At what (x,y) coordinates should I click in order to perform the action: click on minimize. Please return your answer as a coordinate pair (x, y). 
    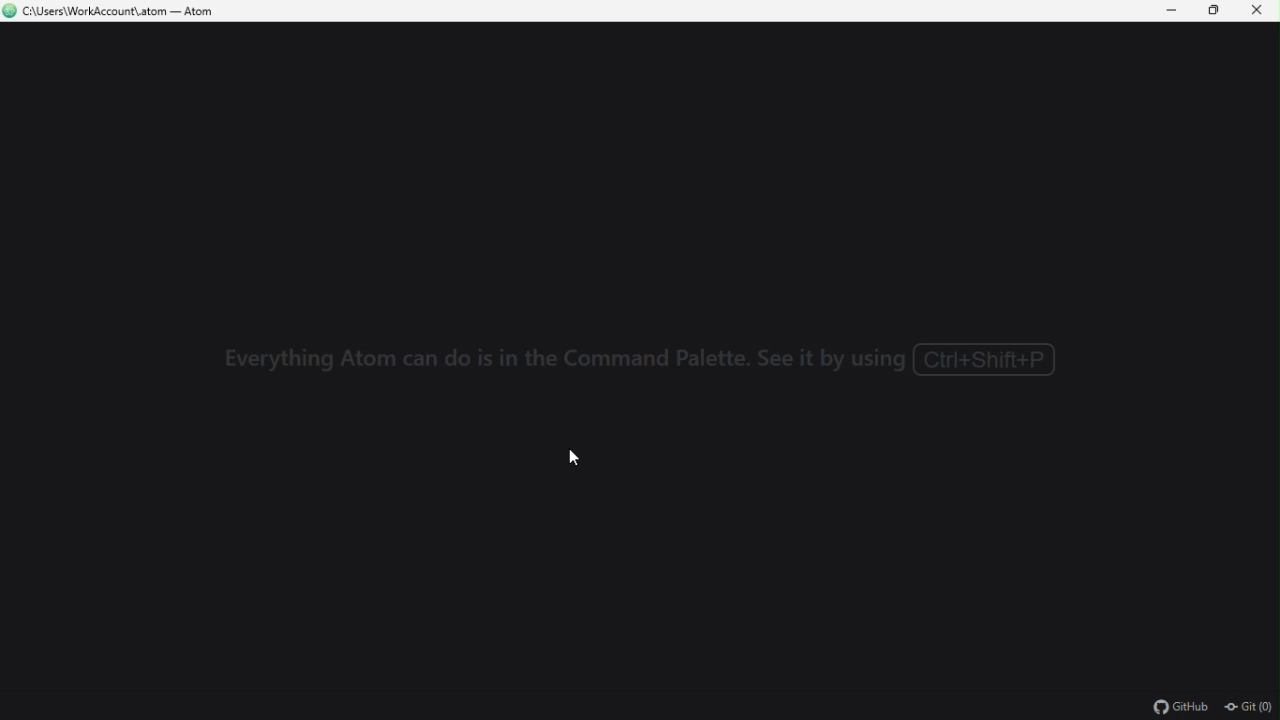
    Looking at the image, I should click on (1166, 11).